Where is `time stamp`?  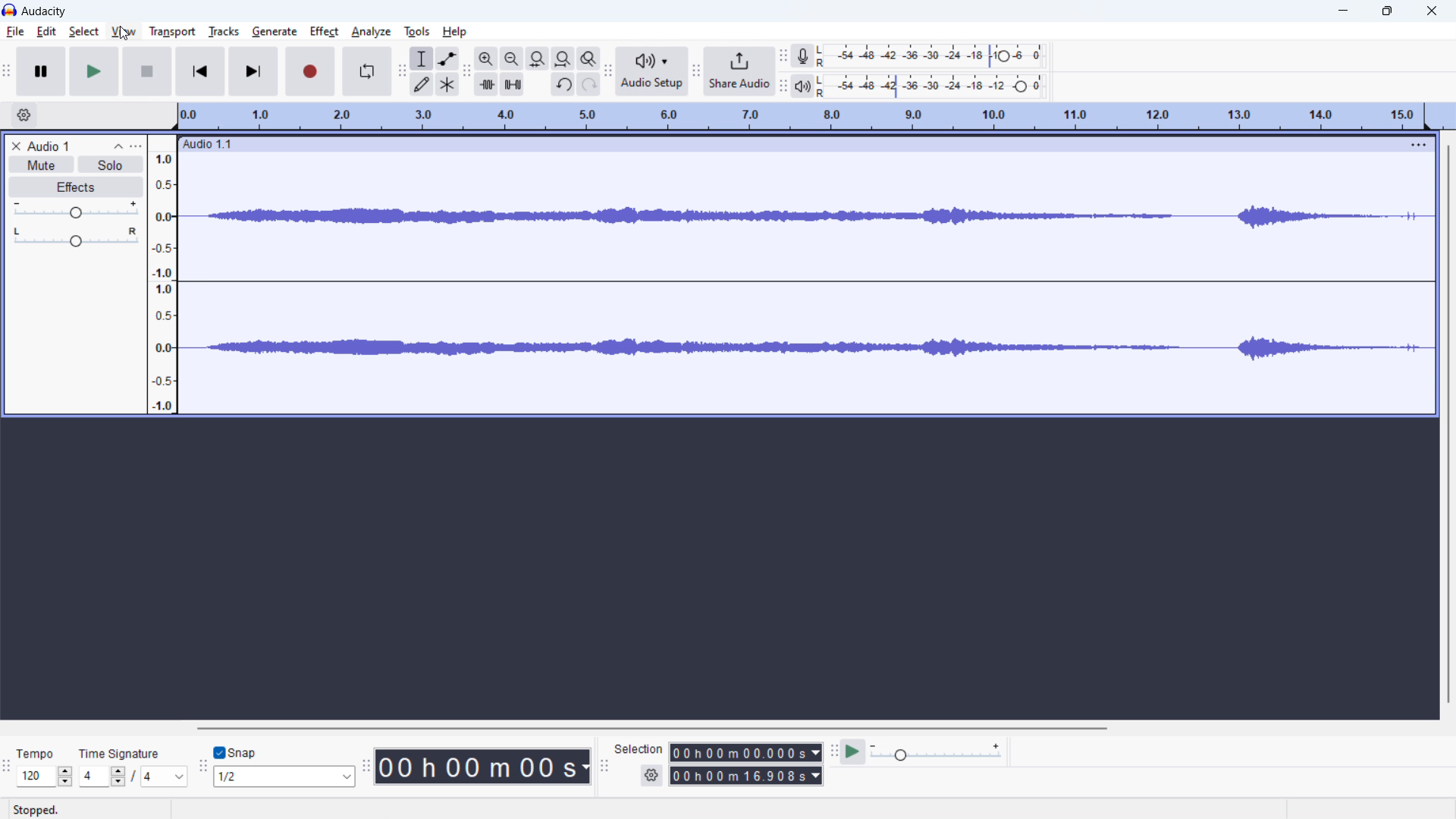 time stamp is located at coordinates (483, 767).